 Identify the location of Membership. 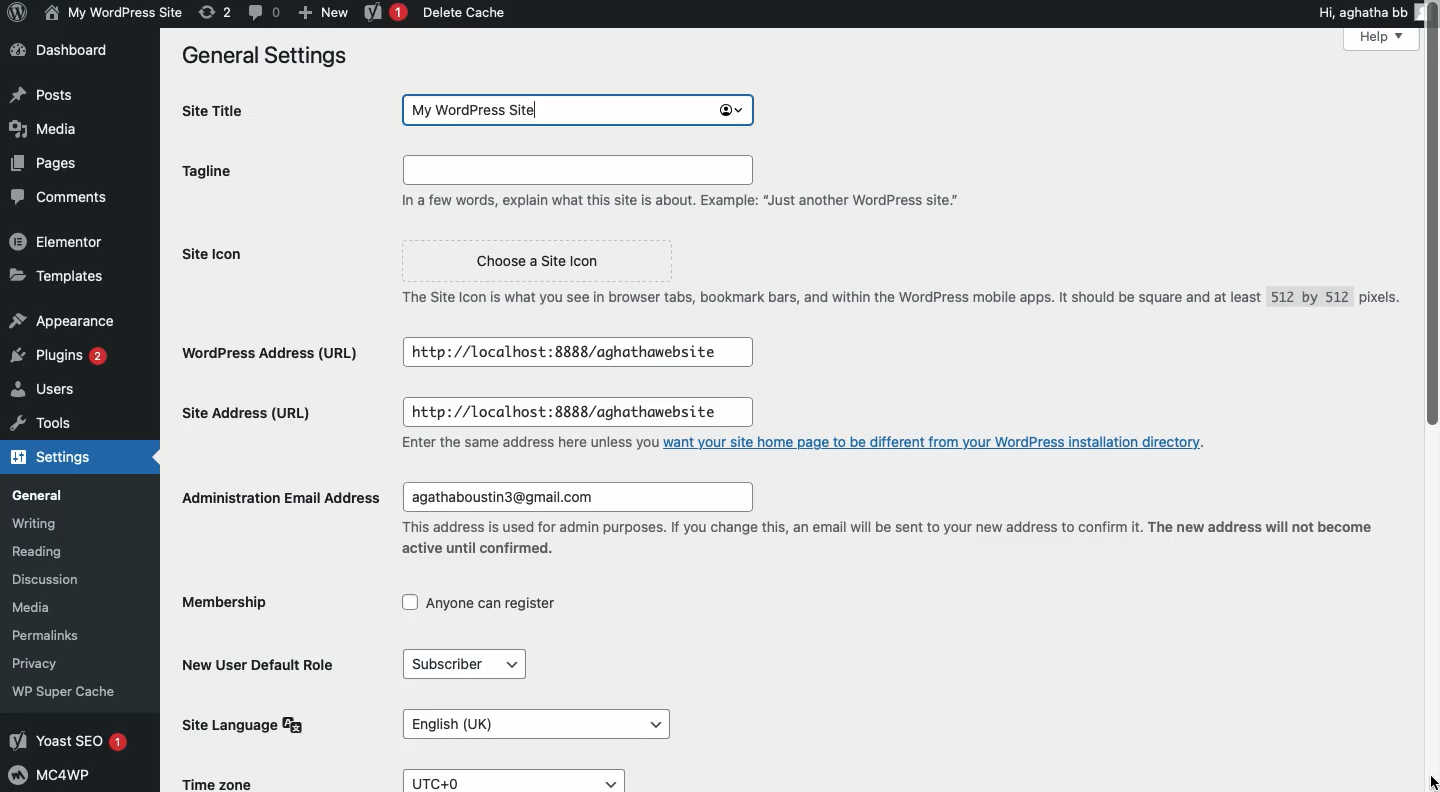
(245, 606).